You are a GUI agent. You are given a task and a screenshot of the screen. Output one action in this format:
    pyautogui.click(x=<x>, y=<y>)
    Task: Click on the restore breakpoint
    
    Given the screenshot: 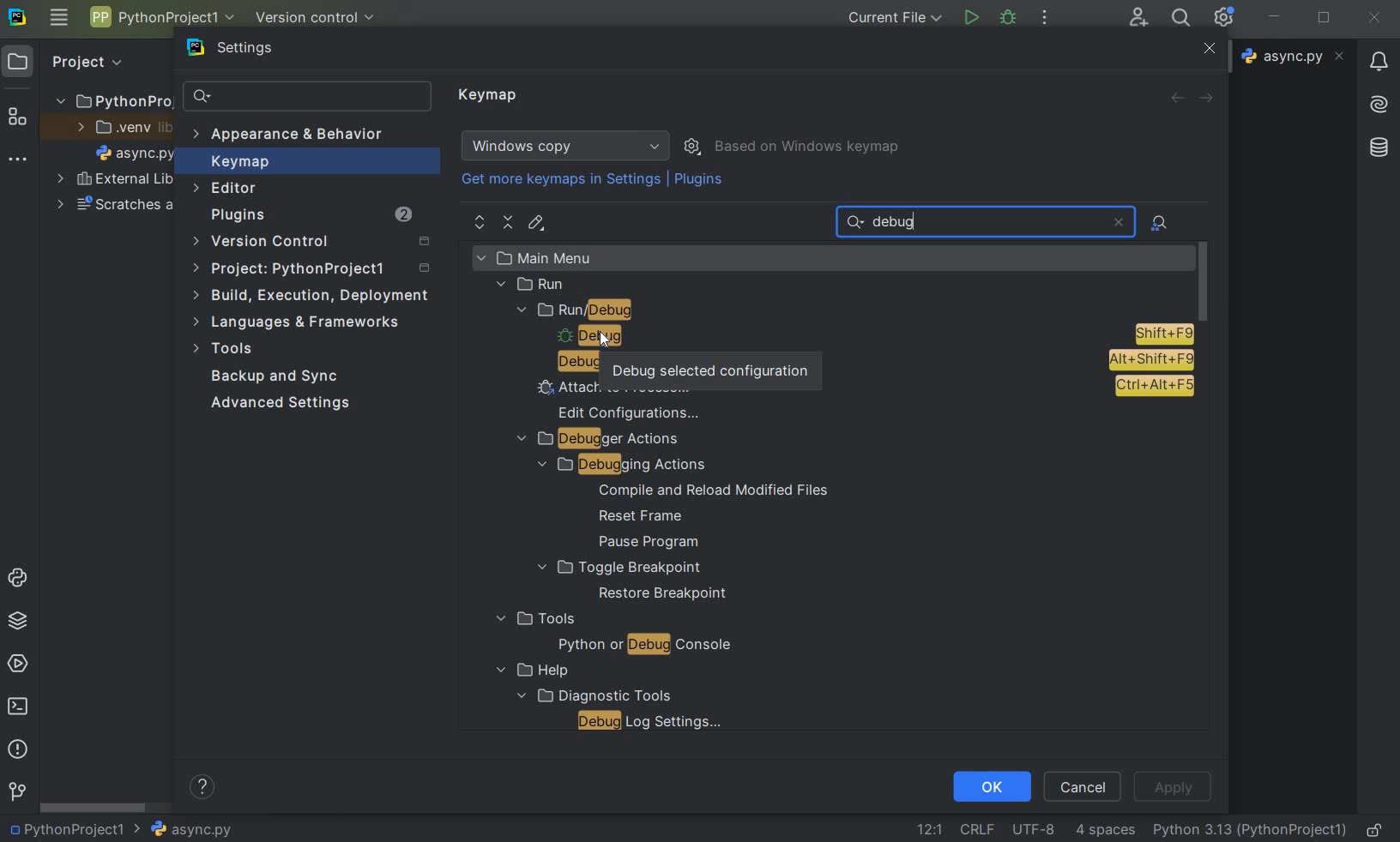 What is the action you would take?
    pyautogui.click(x=664, y=594)
    